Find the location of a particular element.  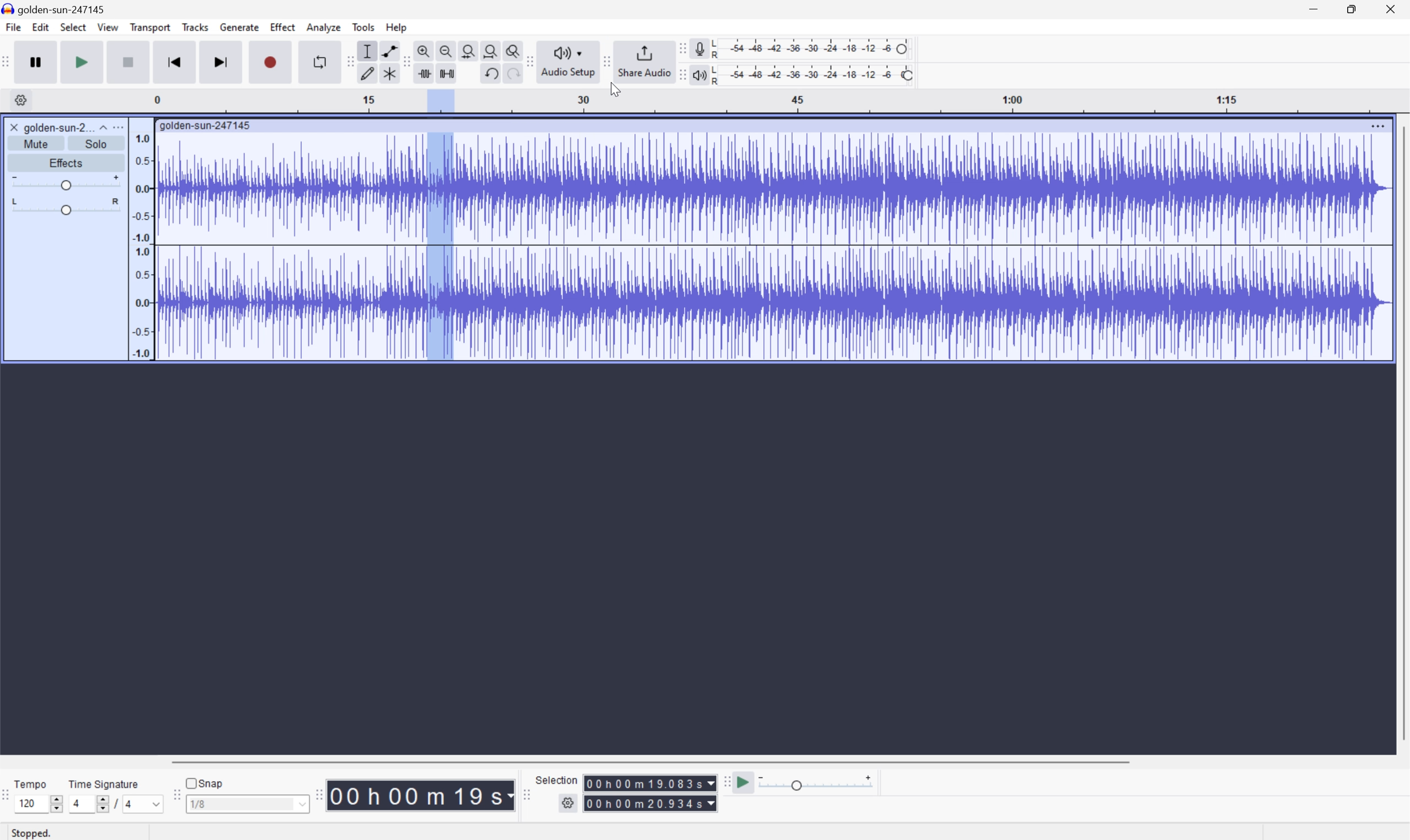

Restore Down is located at coordinates (1348, 8).